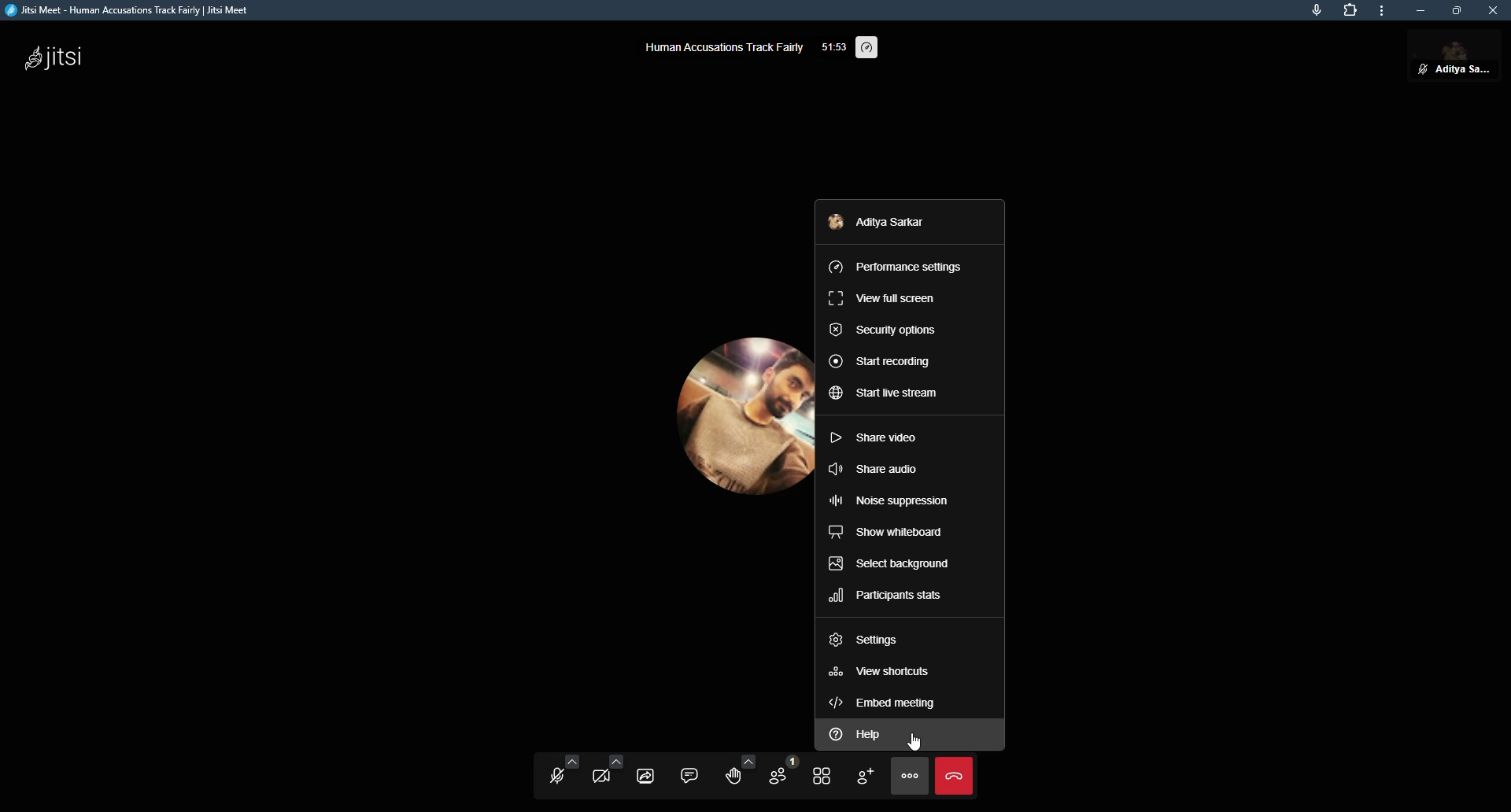 The height and width of the screenshot is (812, 1511). What do you see at coordinates (1319, 9) in the screenshot?
I see `mic` at bounding box center [1319, 9].